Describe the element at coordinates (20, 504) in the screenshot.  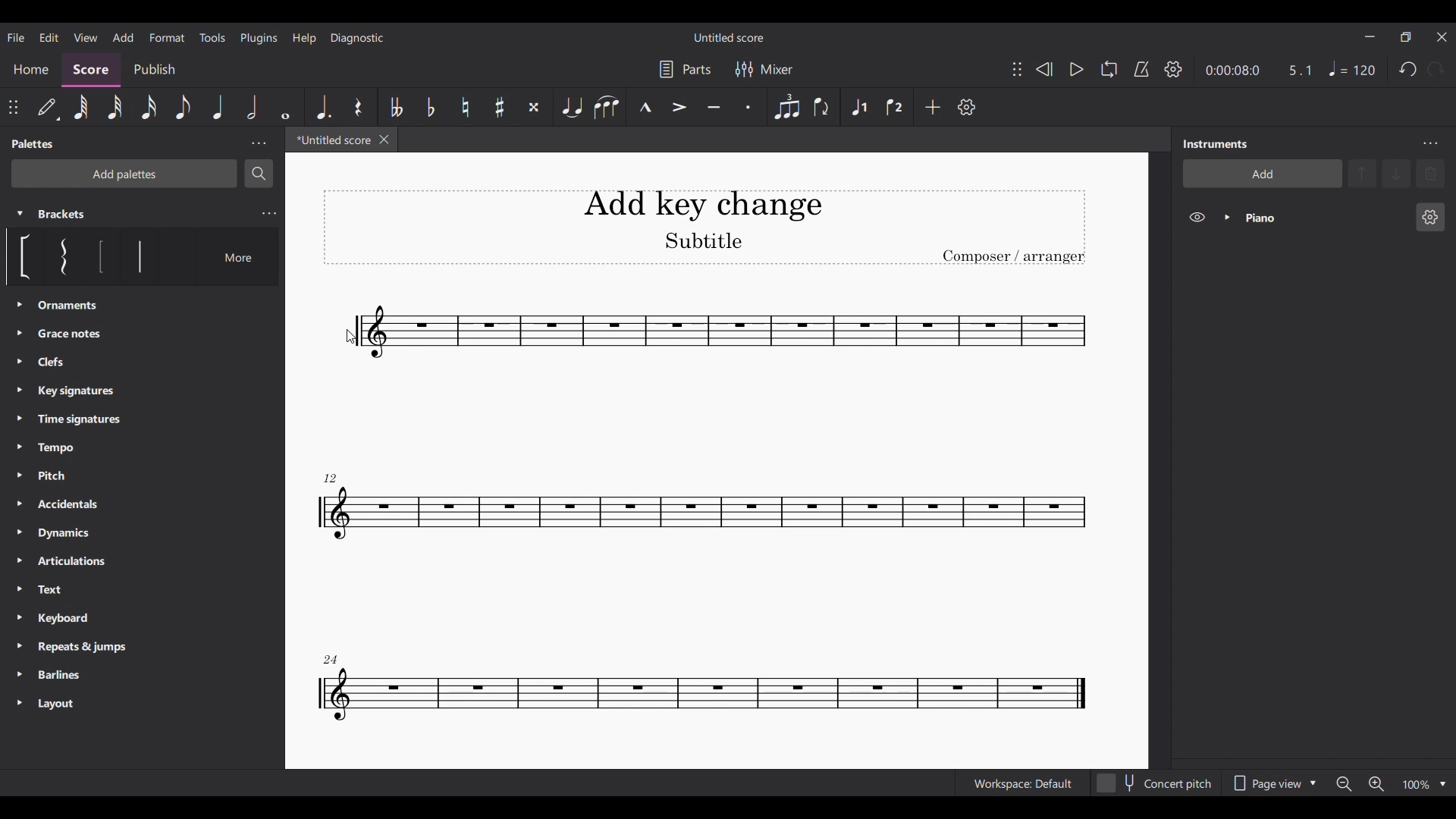
I see `Expand palettes` at that location.